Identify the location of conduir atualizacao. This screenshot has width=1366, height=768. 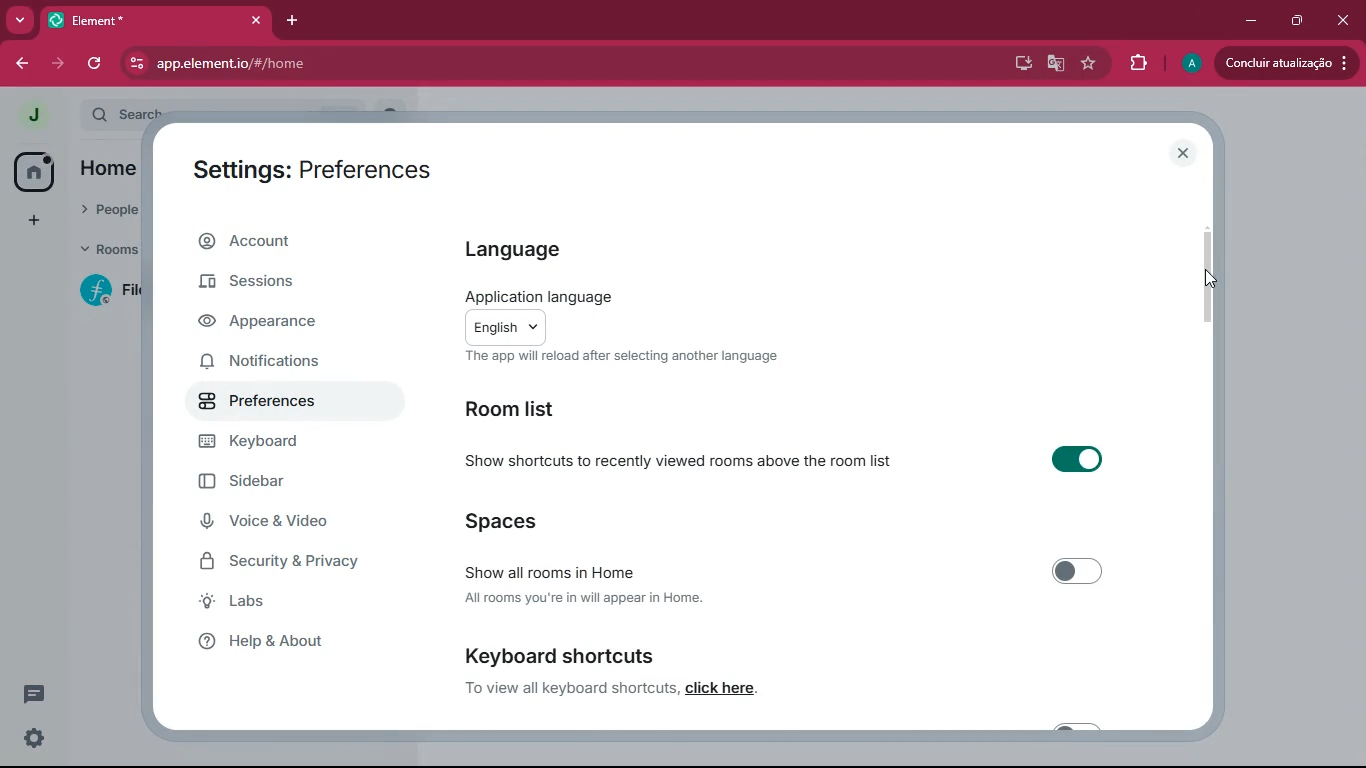
(1287, 63).